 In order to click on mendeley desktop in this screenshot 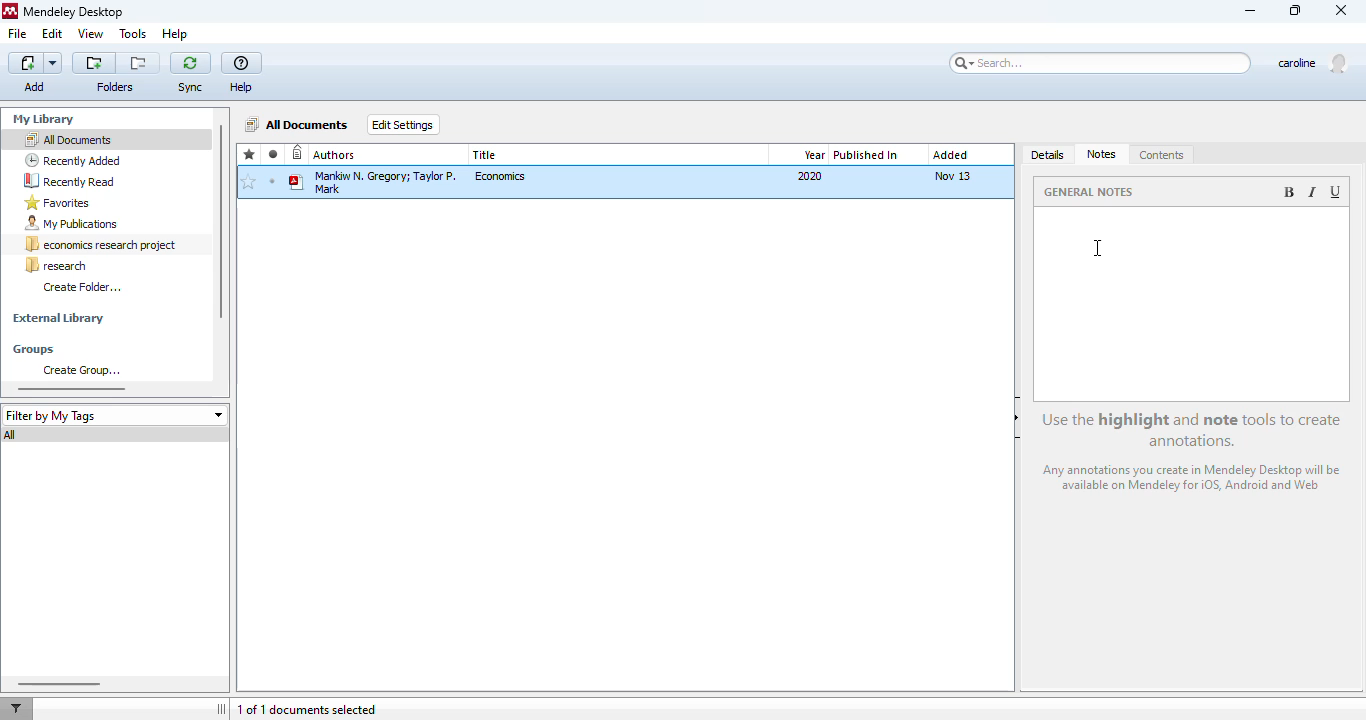, I will do `click(75, 13)`.